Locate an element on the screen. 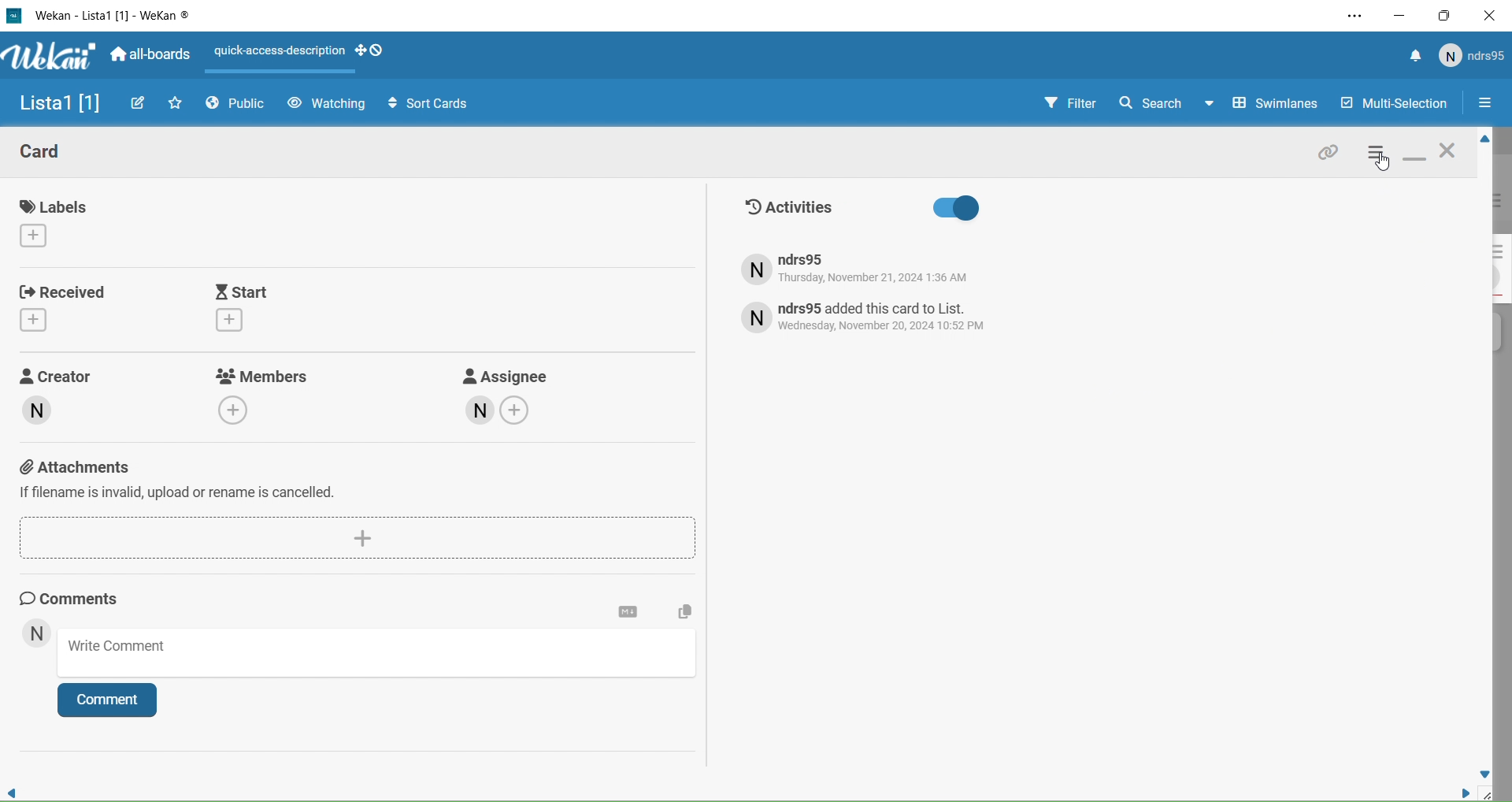 This screenshot has width=1512, height=802. Assignee is located at coordinates (524, 403).